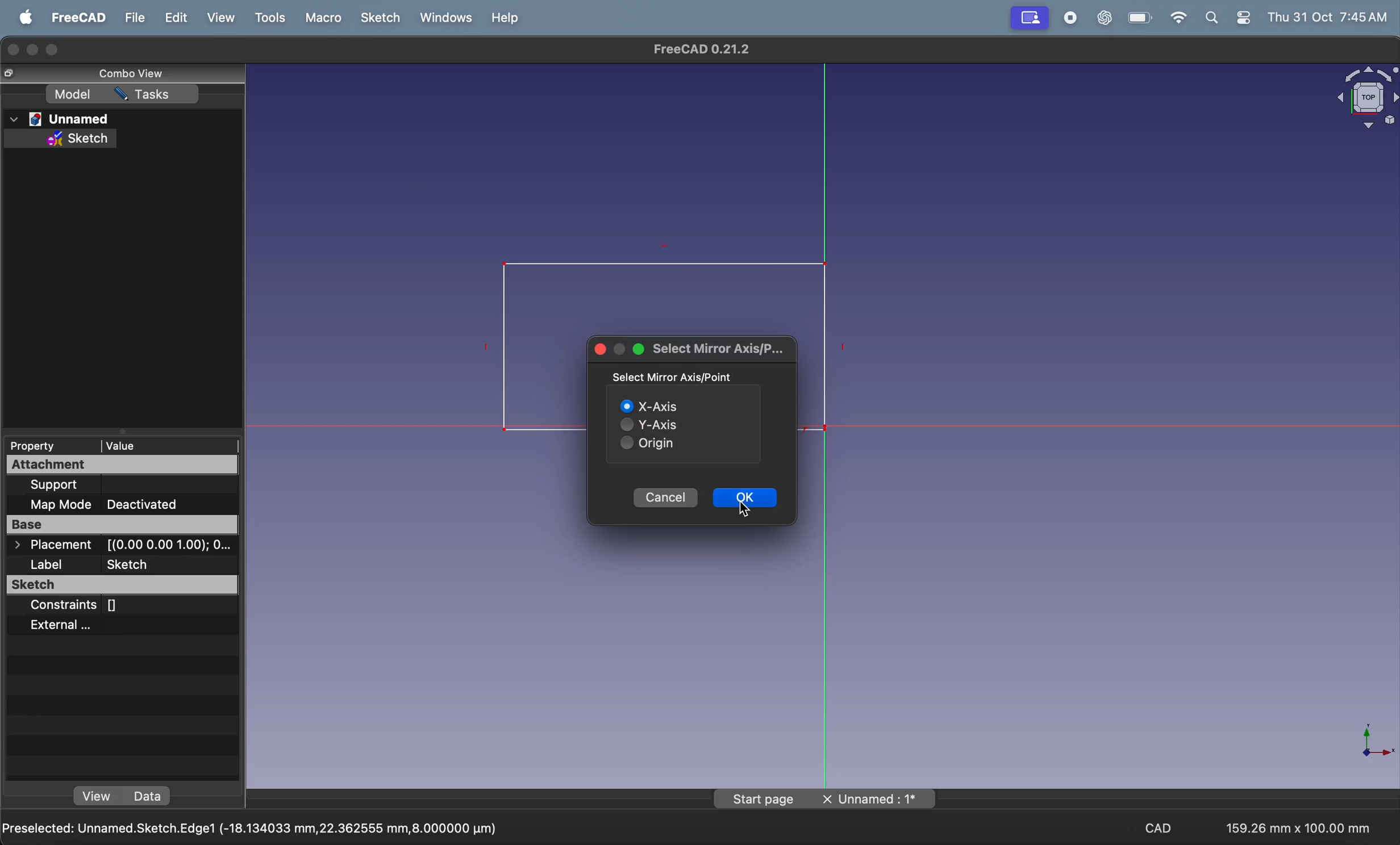 The width and height of the screenshot is (1400, 845). What do you see at coordinates (655, 426) in the screenshot?
I see `y axis` at bounding box center [655, 426].